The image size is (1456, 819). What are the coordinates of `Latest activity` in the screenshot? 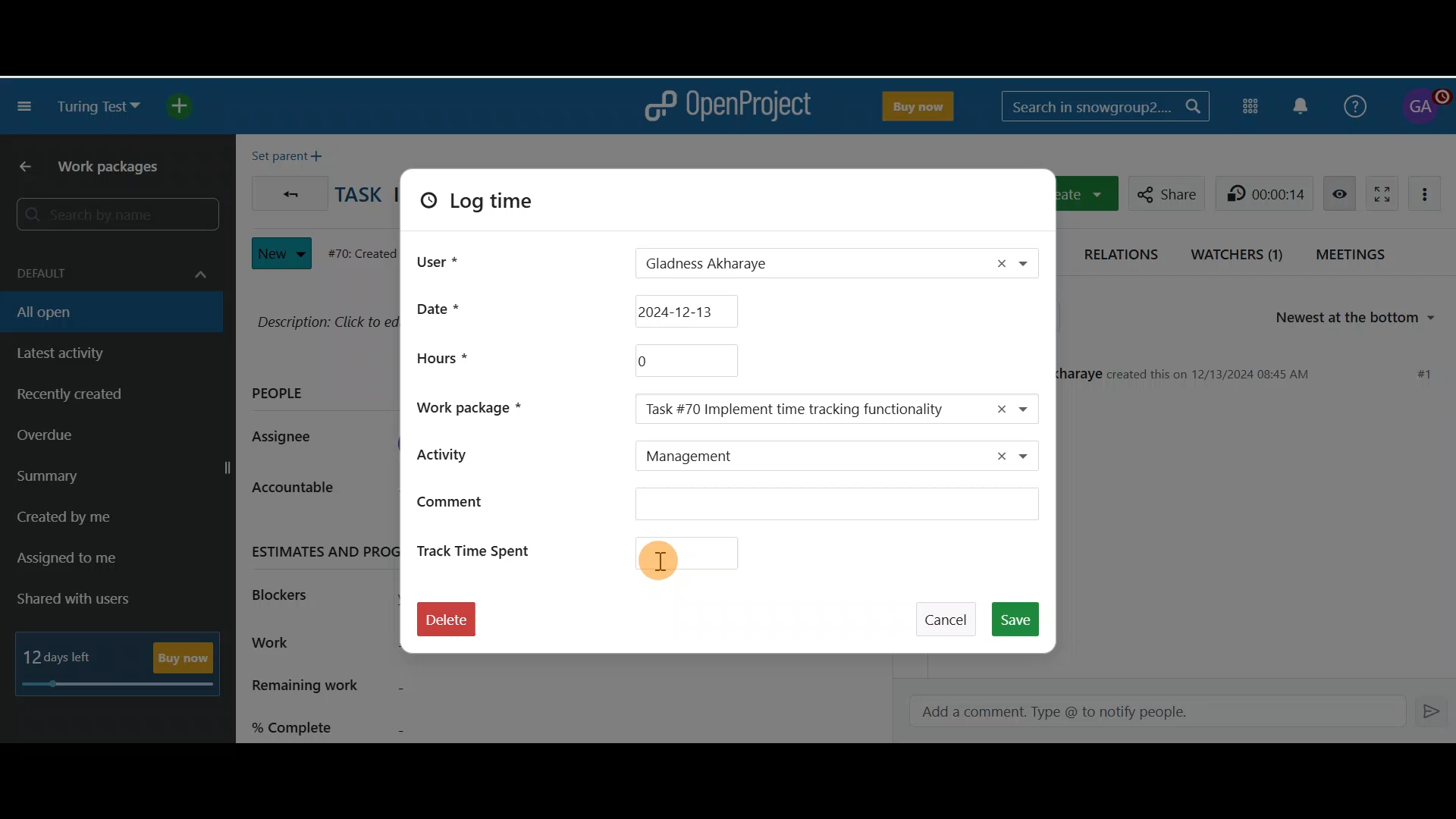 It's located at (83, 354).